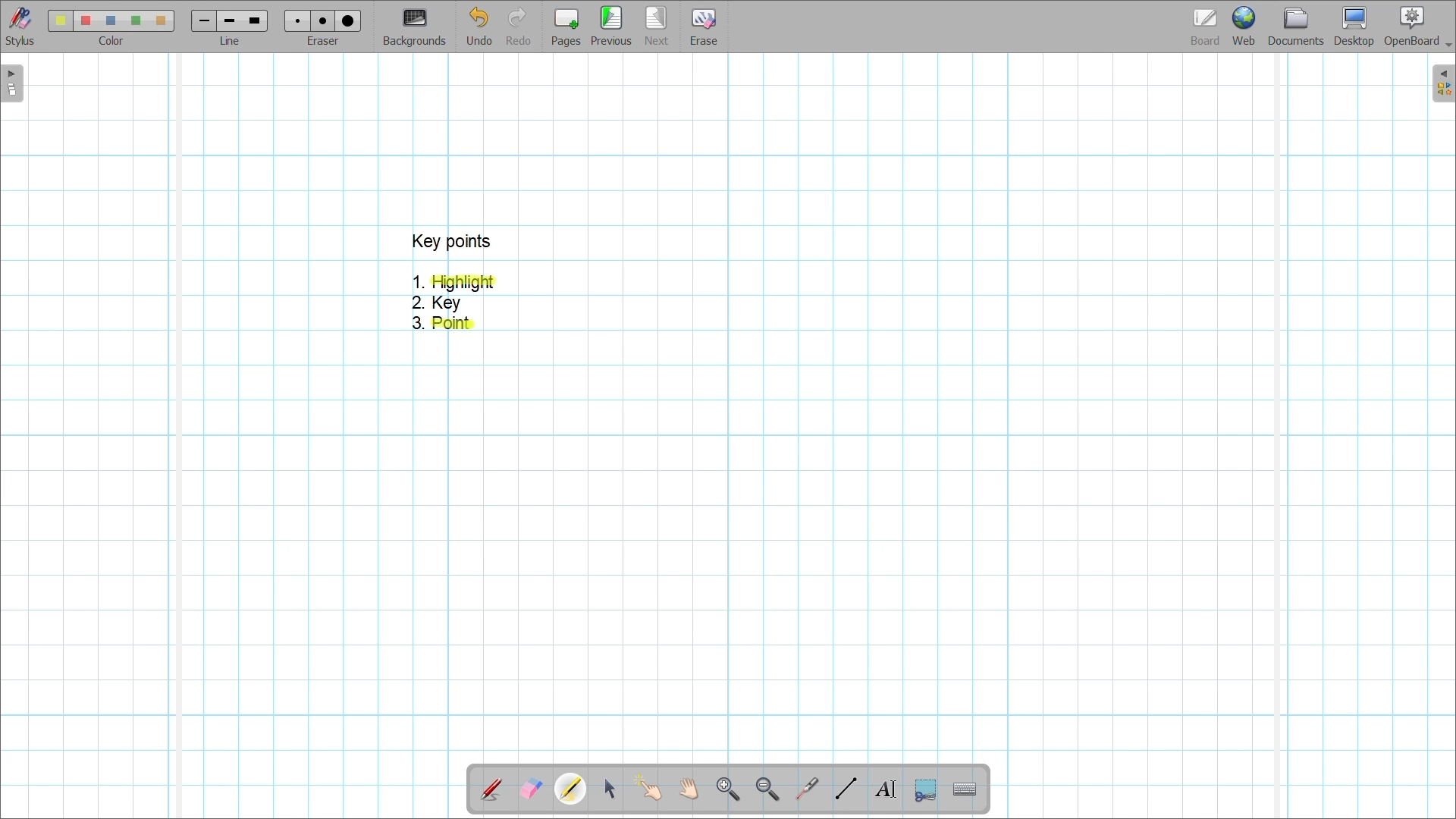 Image resolution: width=1456 pixels, height=819 pixels. I want to click on Highlighter dragged over point 3, so click(453, 322).